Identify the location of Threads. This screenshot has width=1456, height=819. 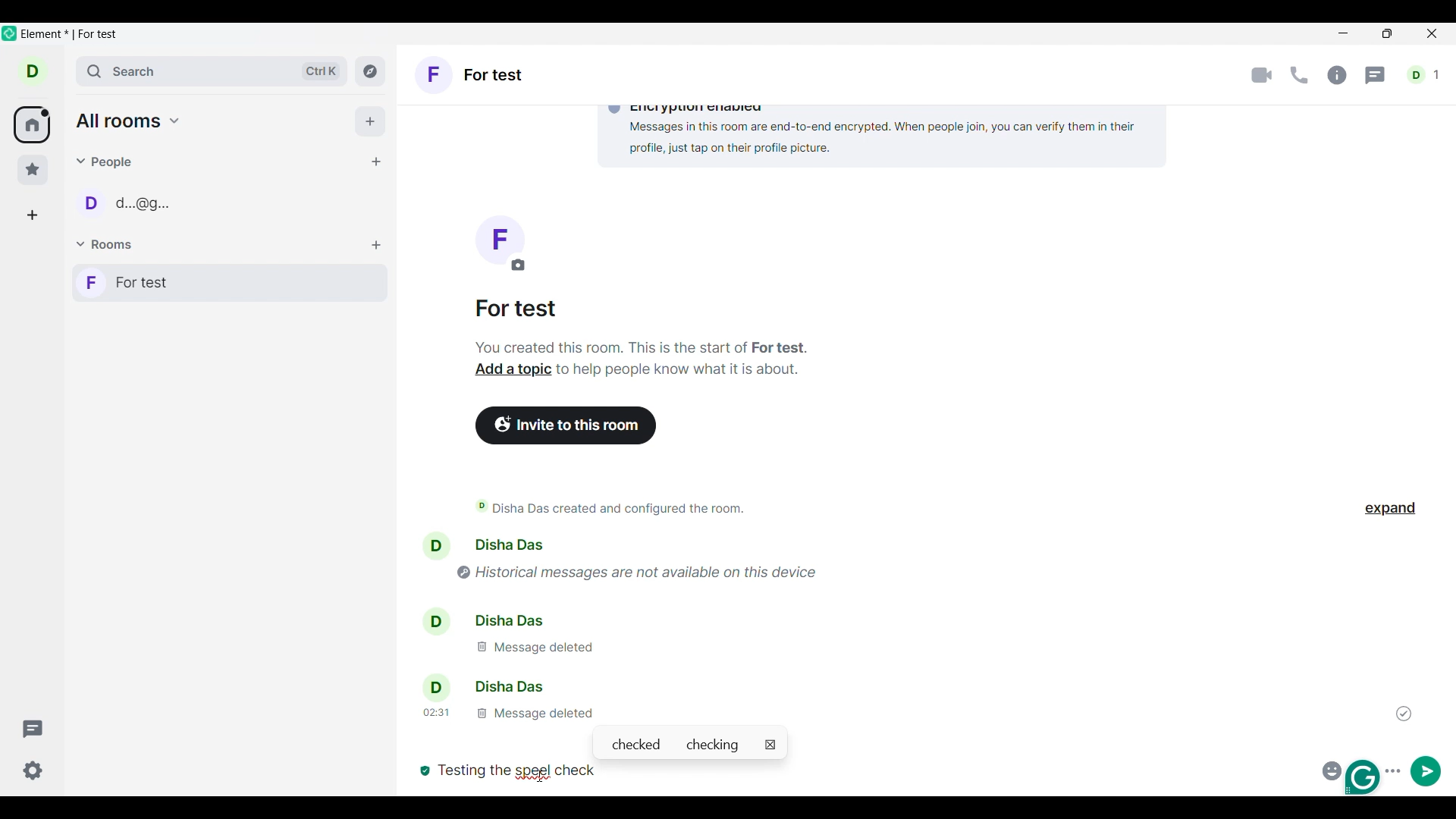
(1376, 76).